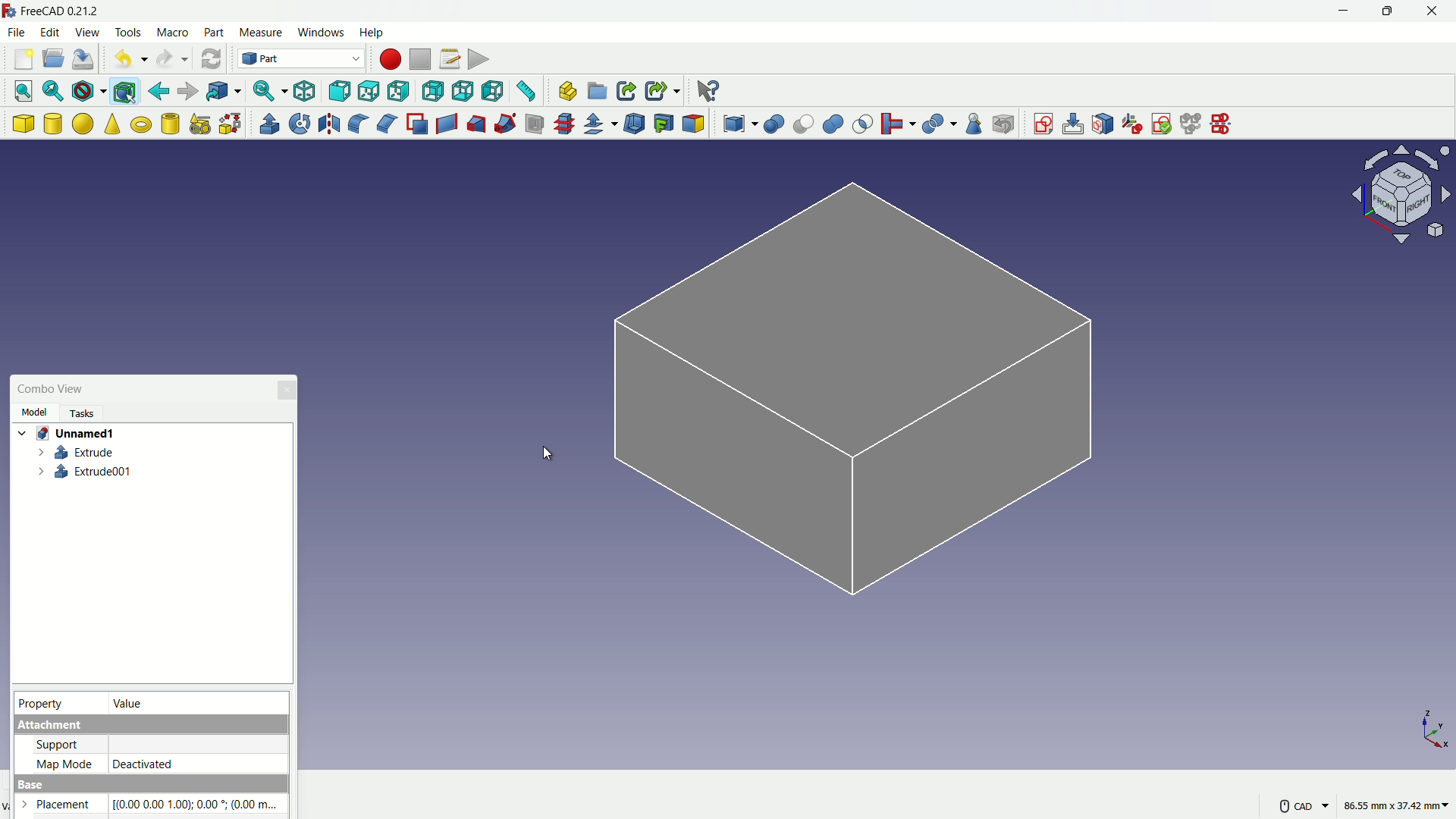  I want to click on rotate direction, so click(1405, 193).